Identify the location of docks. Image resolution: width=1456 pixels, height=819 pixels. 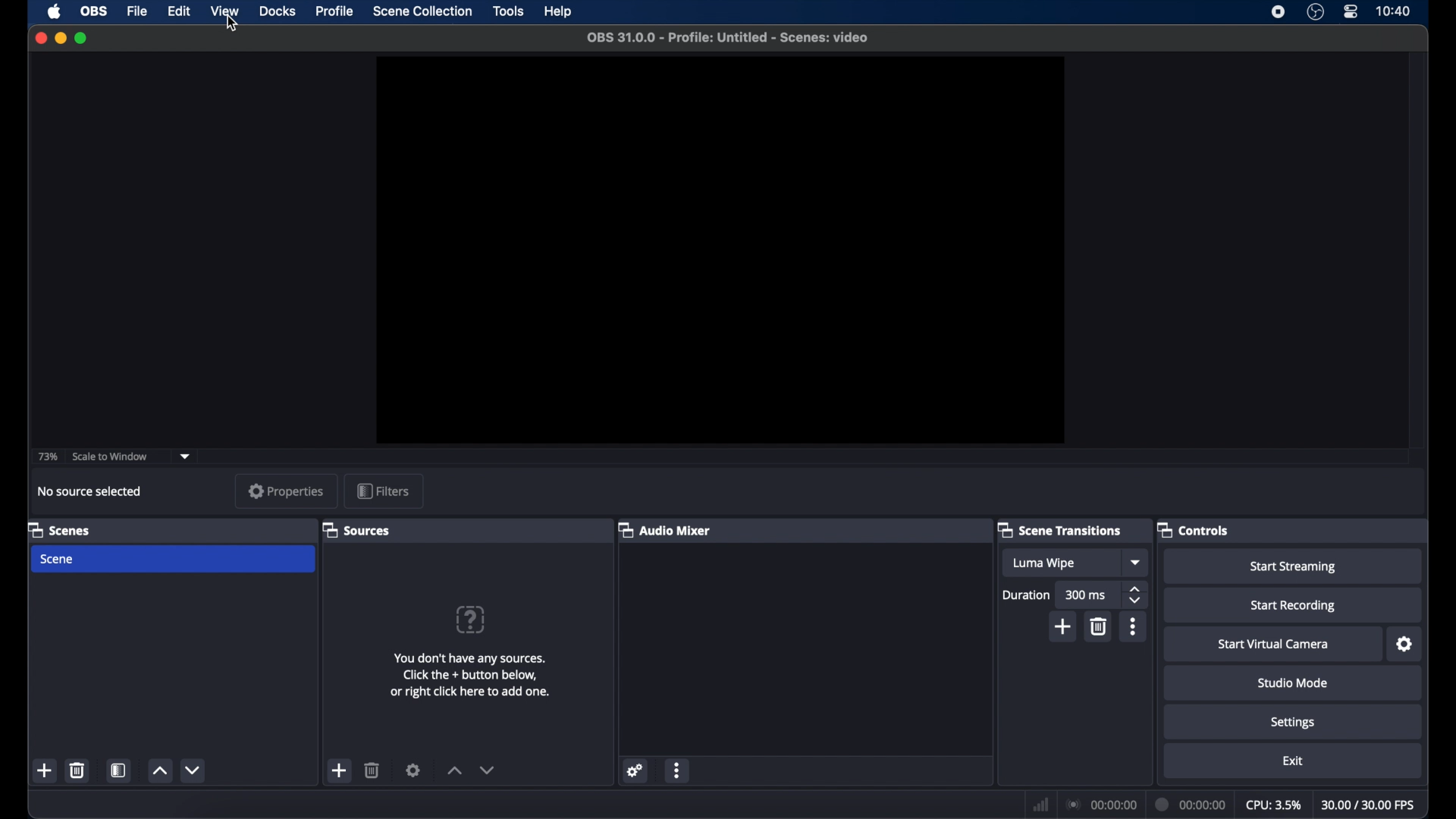
(278, 12).